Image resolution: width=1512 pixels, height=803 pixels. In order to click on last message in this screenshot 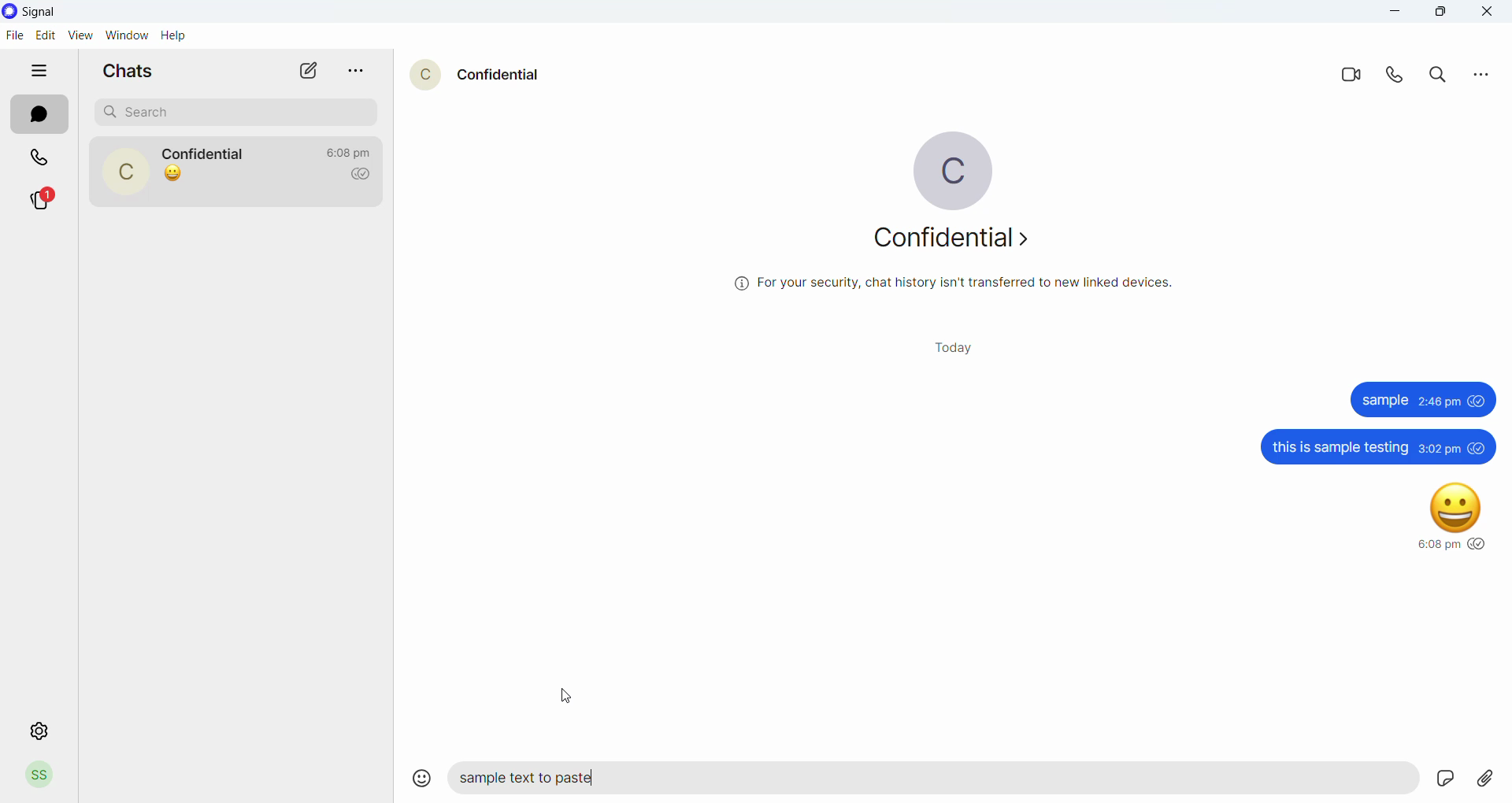, I will do `click(173, 173)`.